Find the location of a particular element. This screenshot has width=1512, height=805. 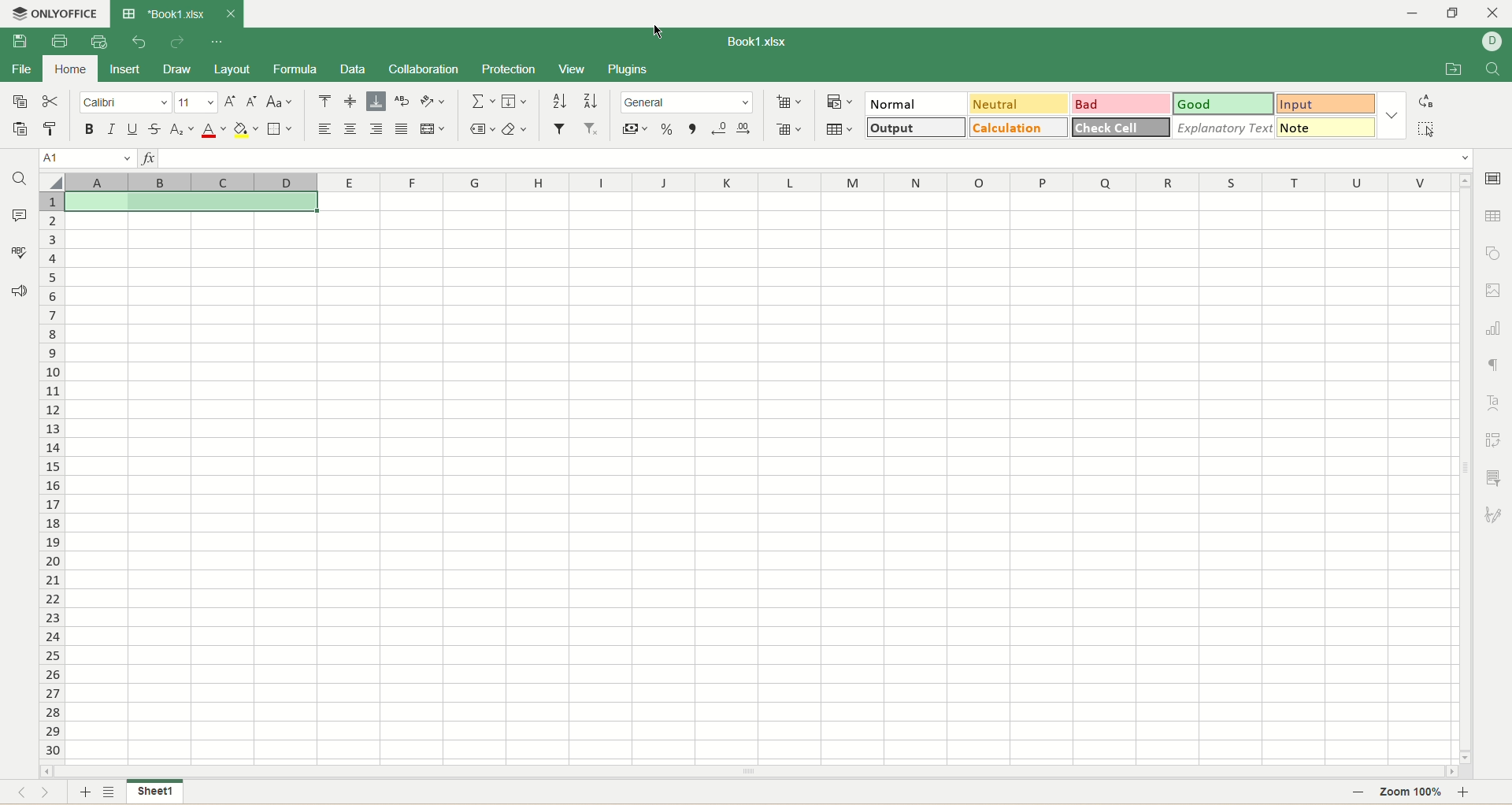

good is located at coordinates (1225, 104).